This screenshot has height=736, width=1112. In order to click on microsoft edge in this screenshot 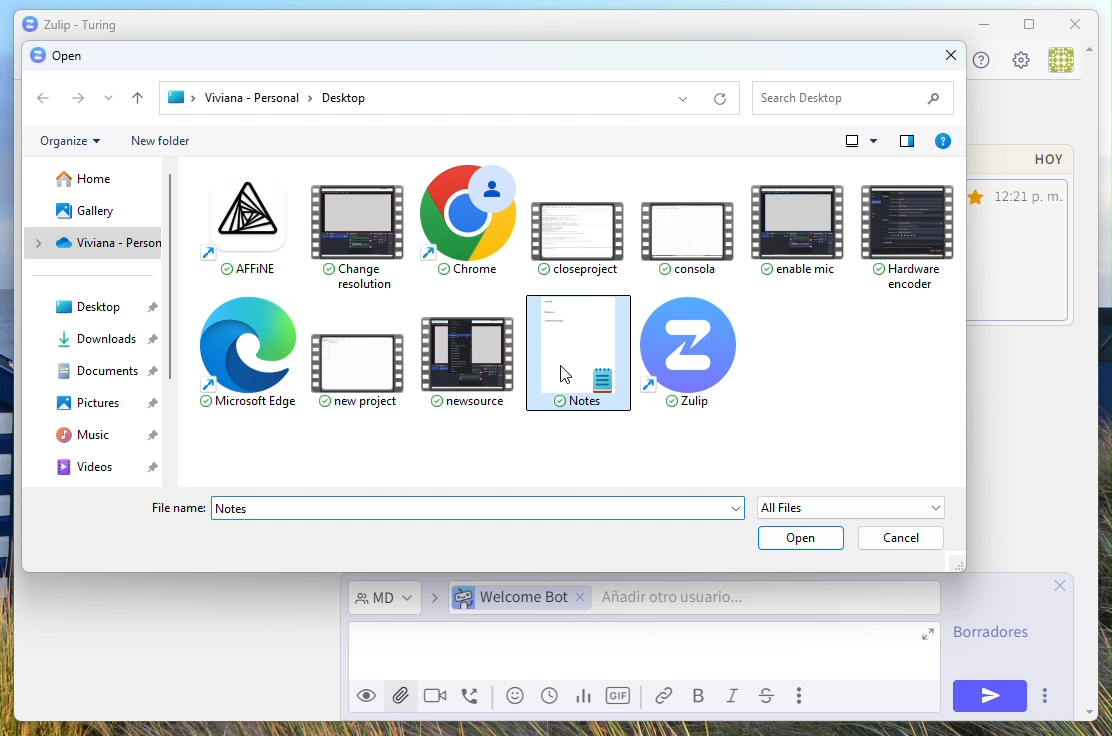, I will do `click(249, 358)`.